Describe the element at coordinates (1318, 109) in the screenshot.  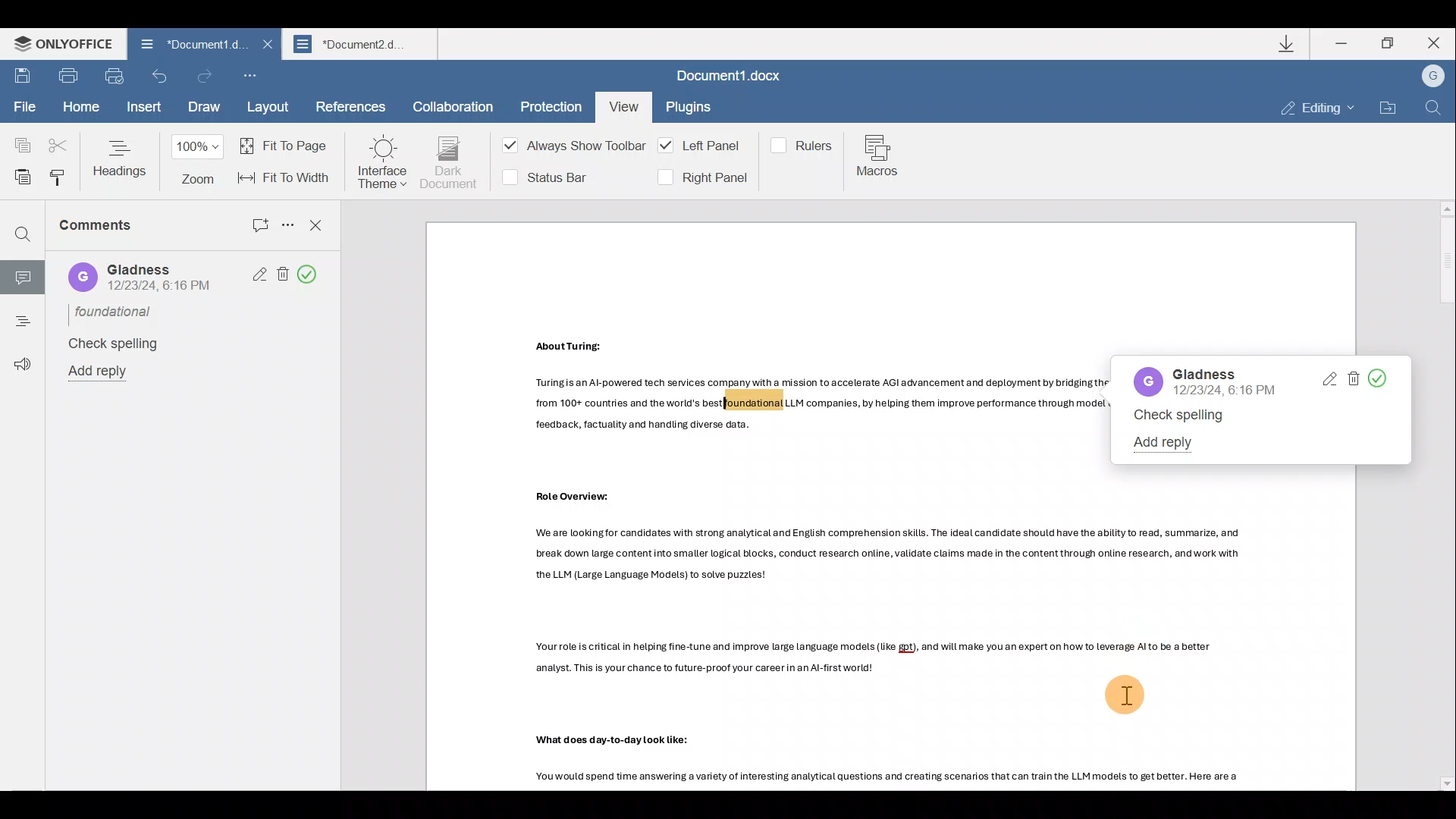
I see `Editing mode` at that location.